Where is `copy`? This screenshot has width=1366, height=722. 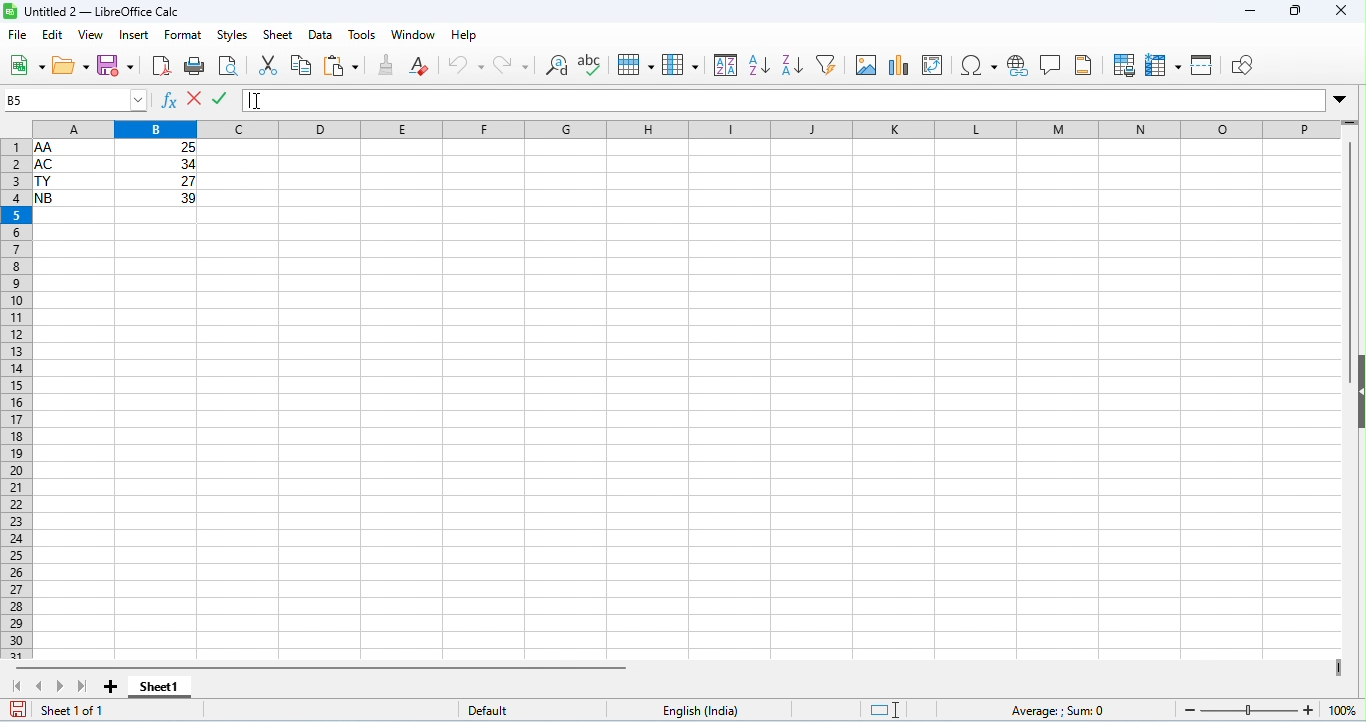
copy is located at coordinates (302, 65).